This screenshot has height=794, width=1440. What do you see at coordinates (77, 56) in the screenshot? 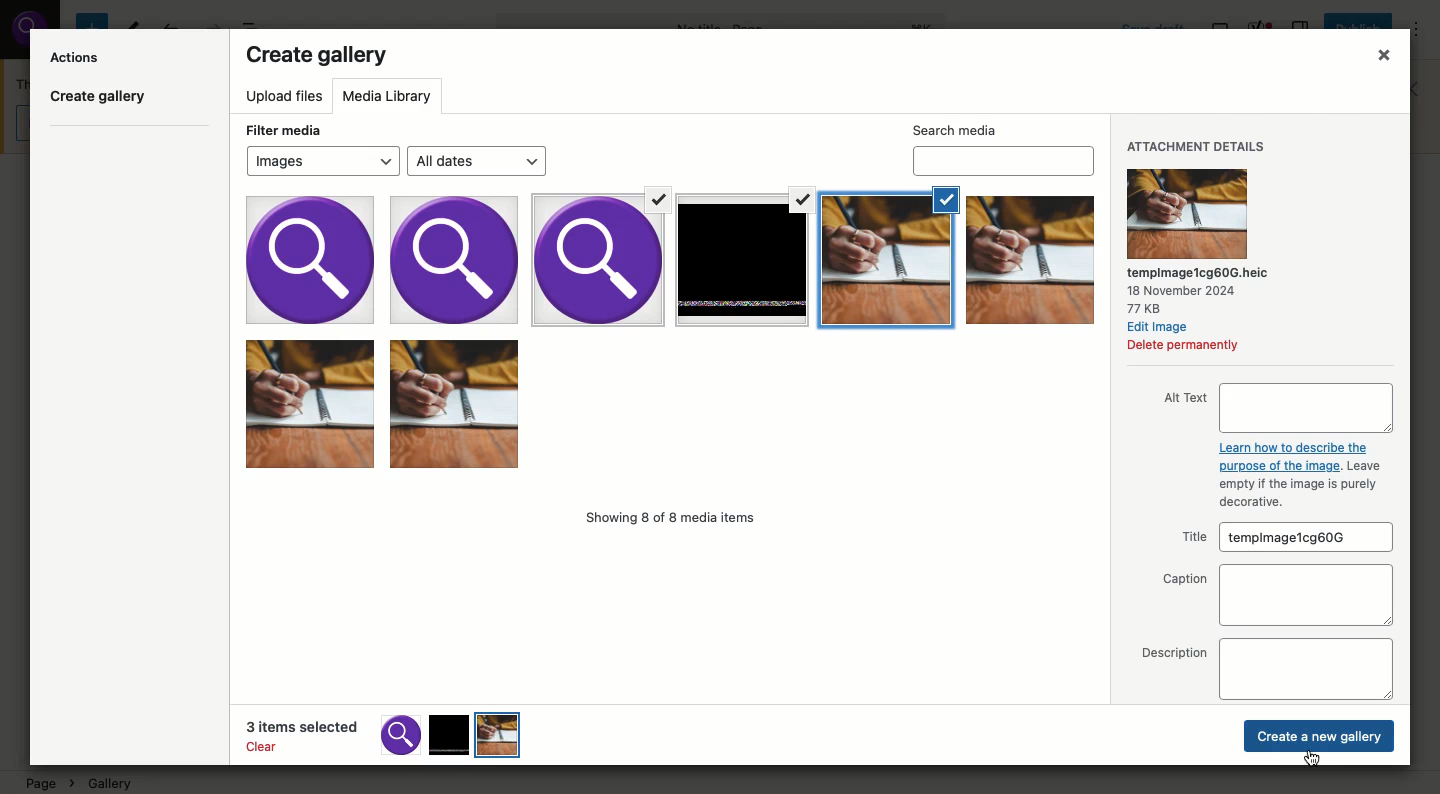
I see `Actions` at bounding box center [77, 56].